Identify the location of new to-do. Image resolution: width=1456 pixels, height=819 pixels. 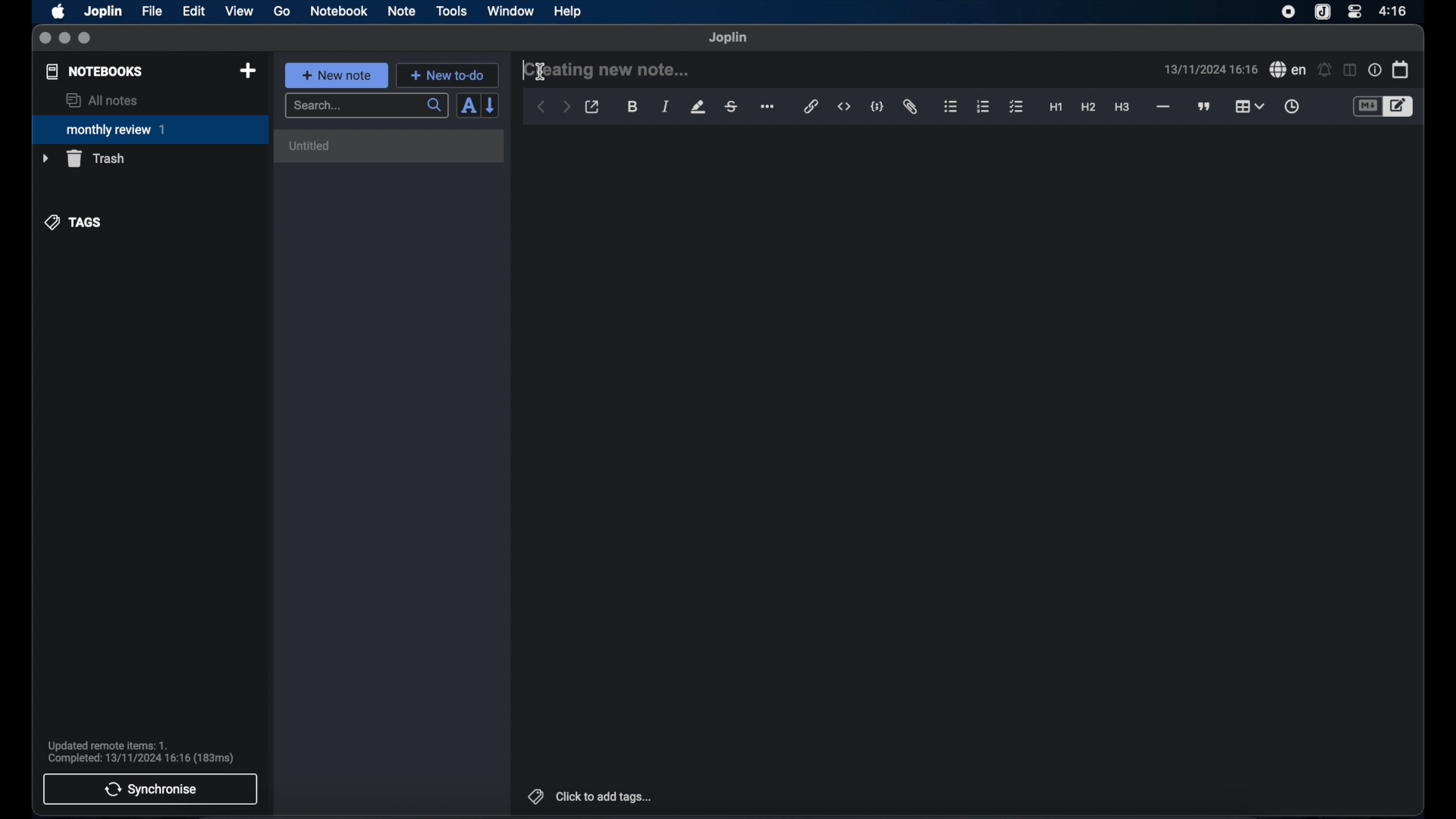
(448, 75).